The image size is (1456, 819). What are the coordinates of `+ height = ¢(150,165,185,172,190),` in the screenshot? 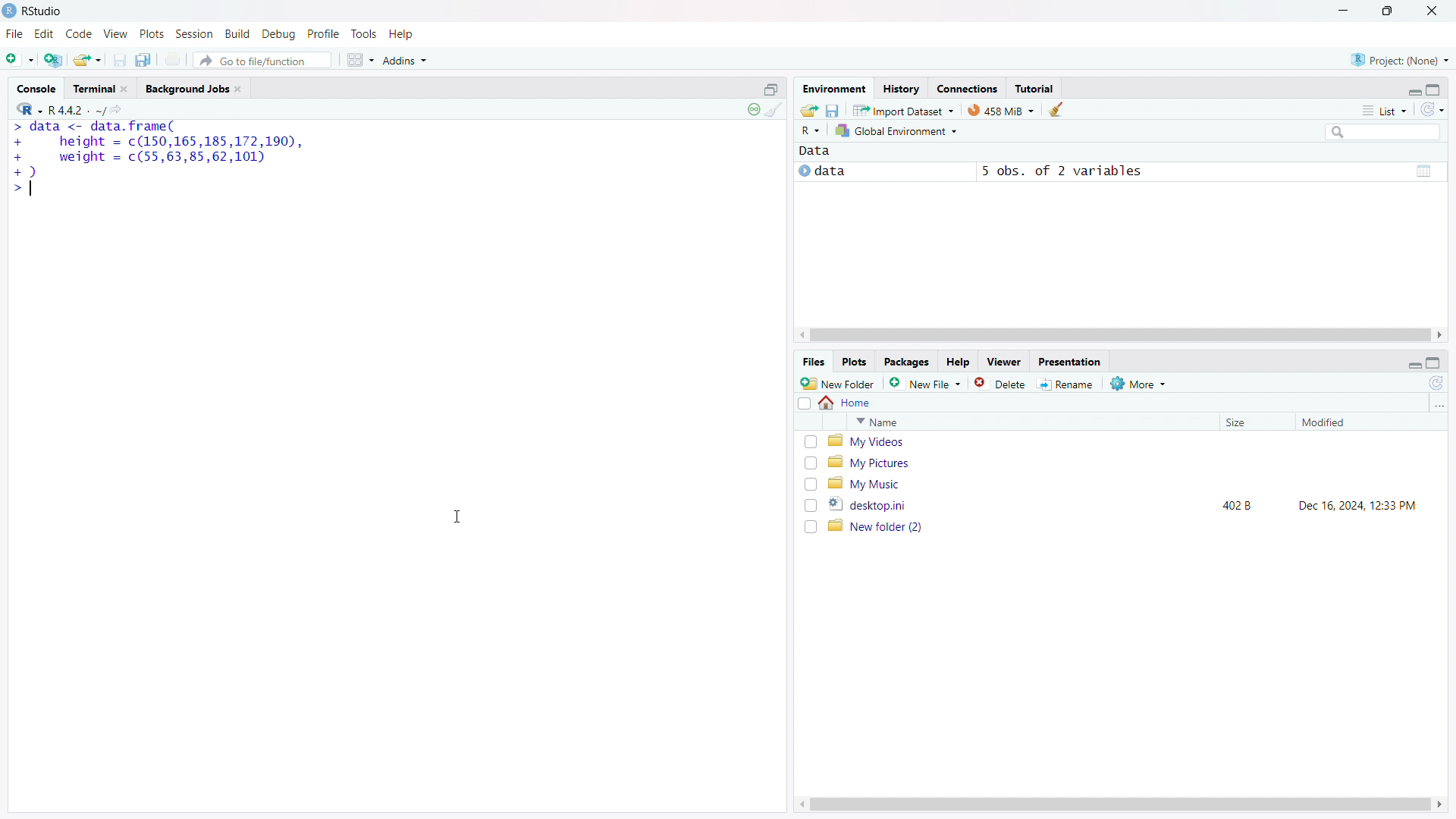 It's located at (158, 142).